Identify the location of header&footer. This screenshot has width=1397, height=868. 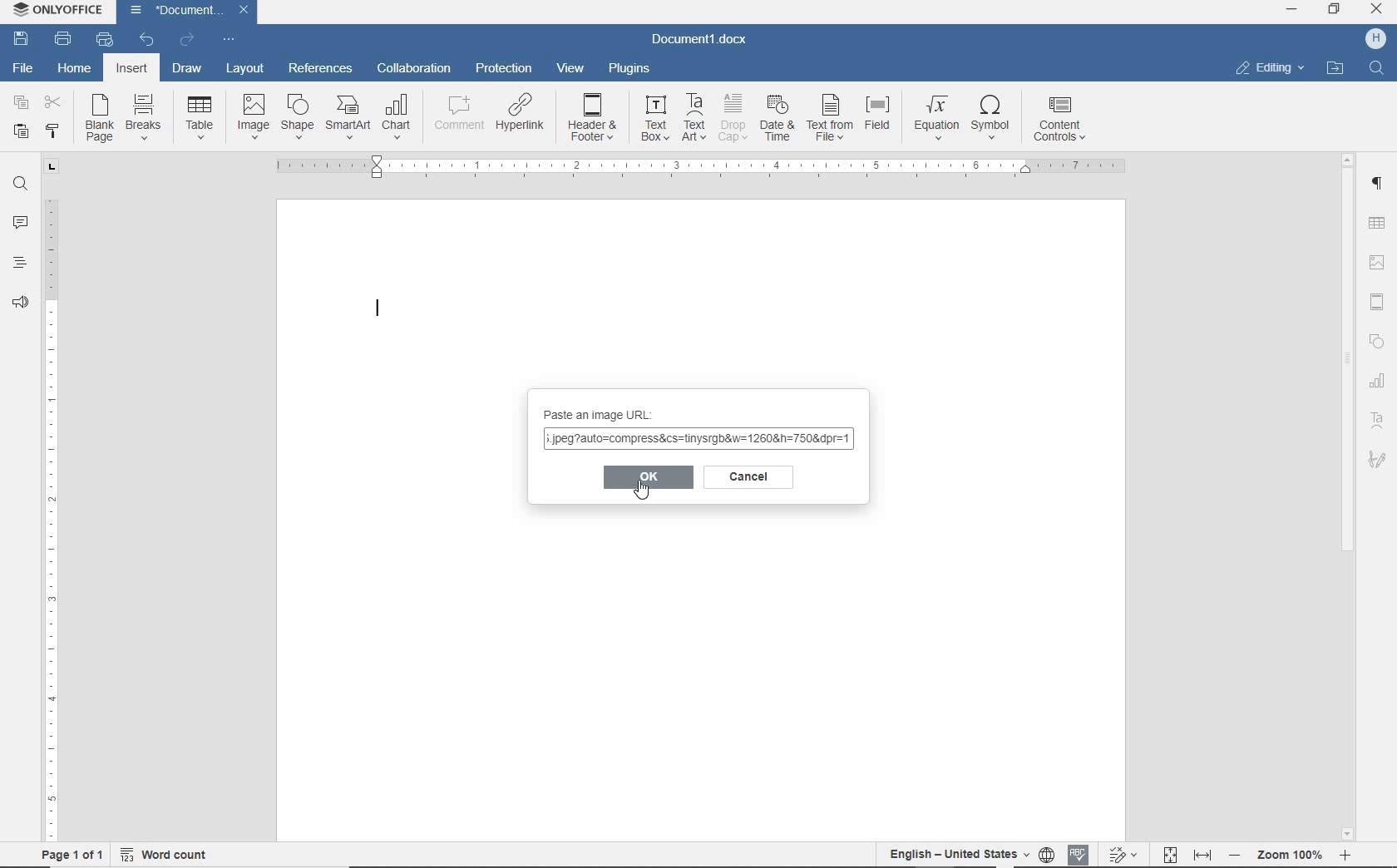
(590, 118).